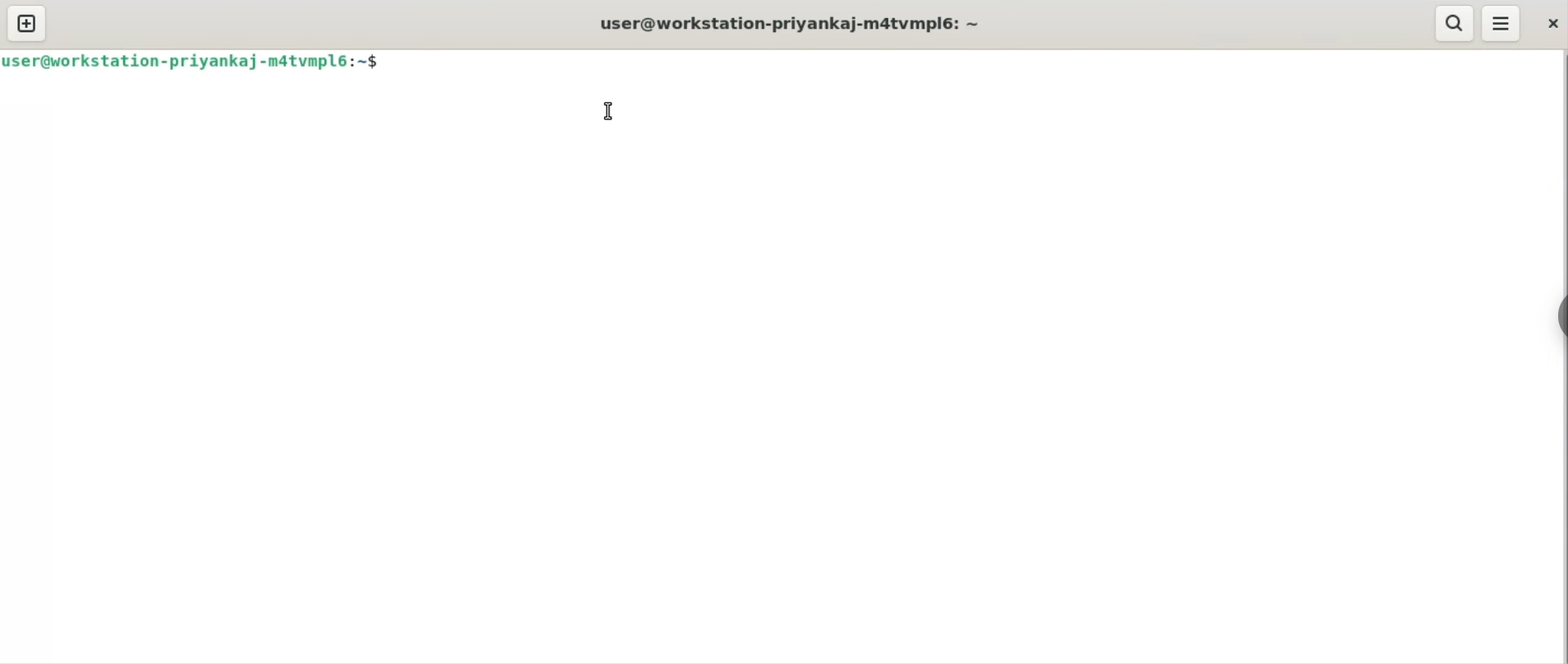 The height and width of the screenshot is (664, 1568). Describe the element at coordinates (786, 23) in the screenshot. I see `user@workstation-priyankaj-m4tvmpl6:~` at that location.